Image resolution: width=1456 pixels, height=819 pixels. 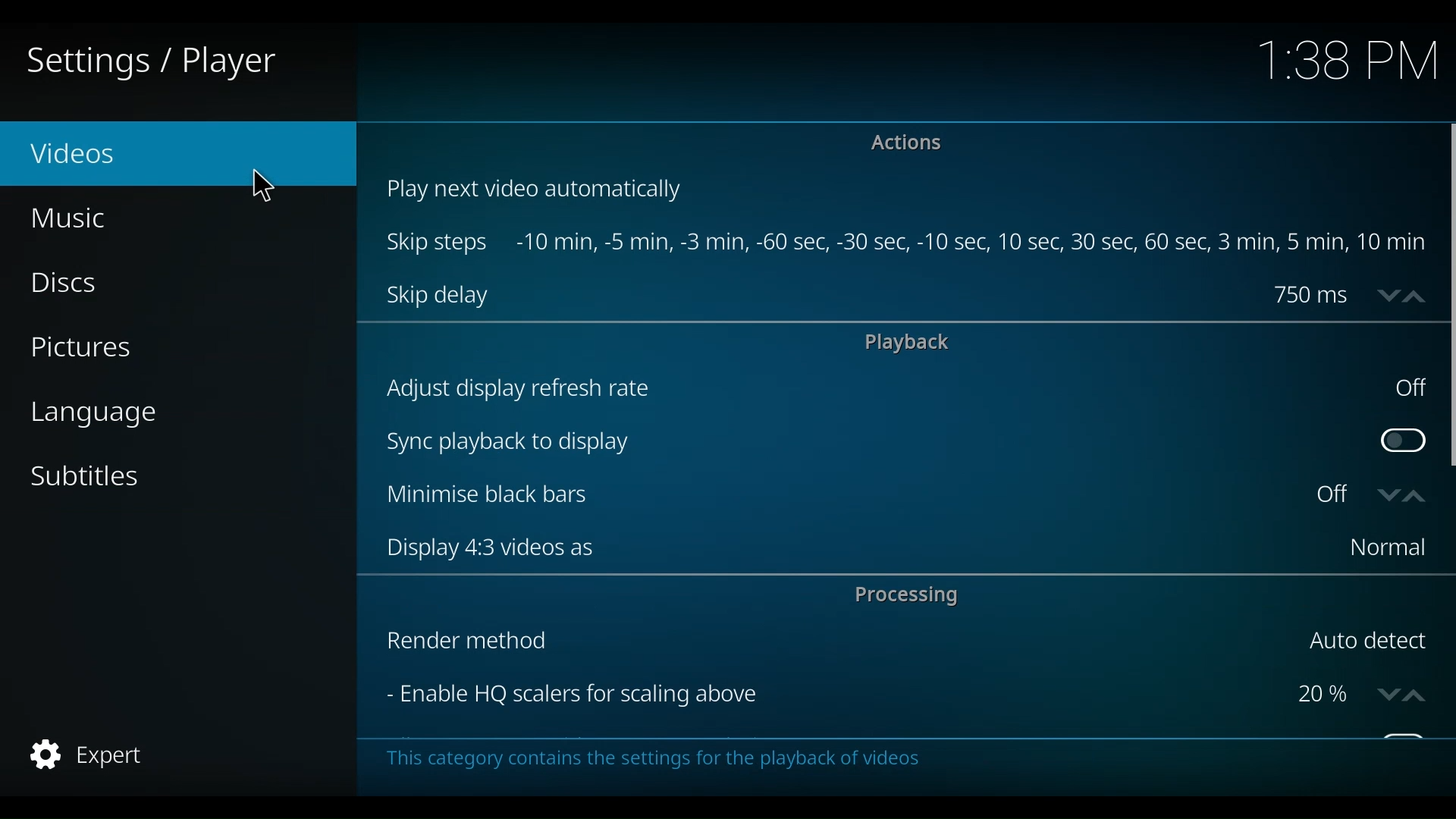 I want to click on Percentage scalers, so click(x=1325, y=695).